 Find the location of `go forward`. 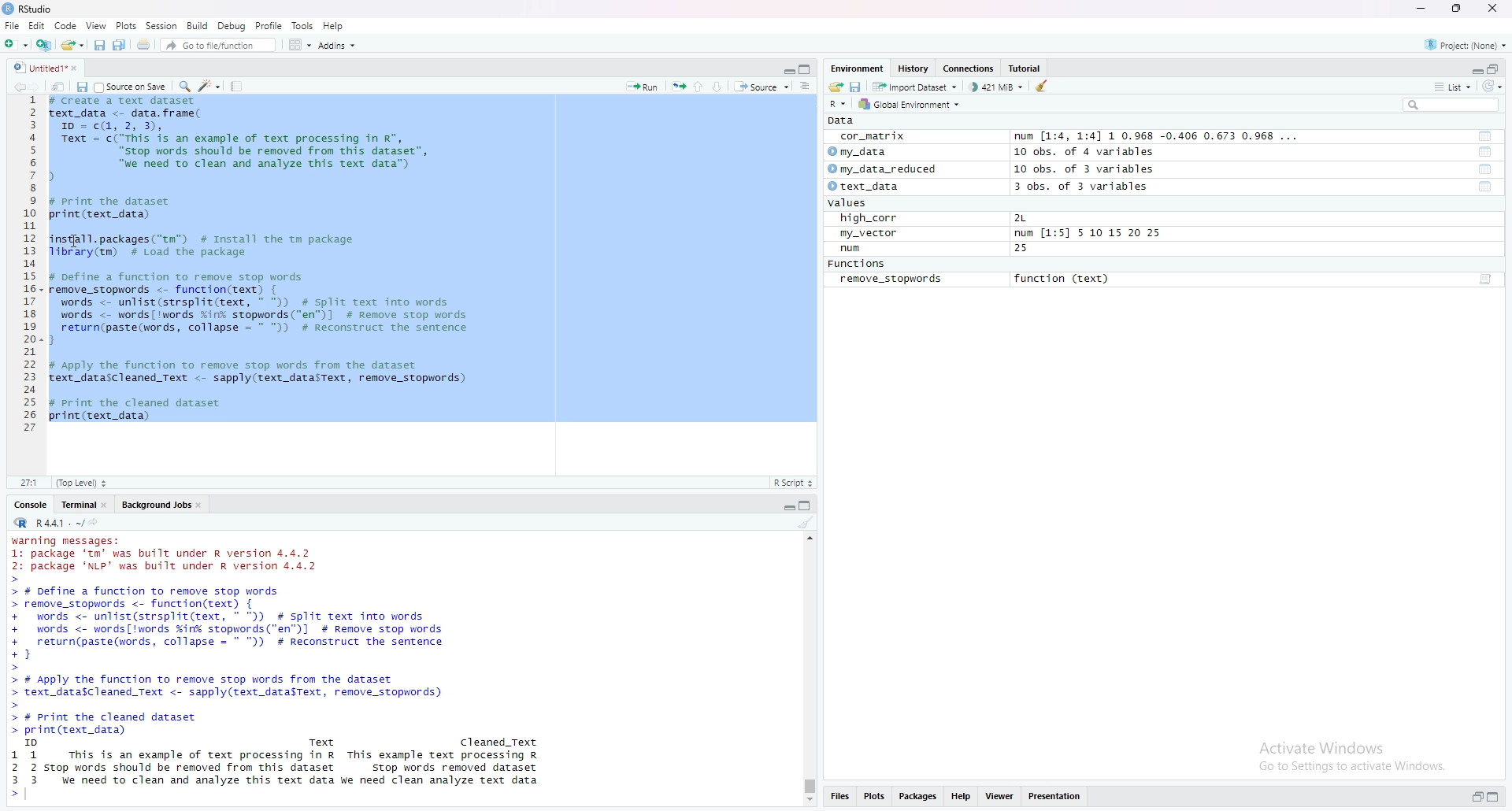

go forward is located at coordinates (39, 87).